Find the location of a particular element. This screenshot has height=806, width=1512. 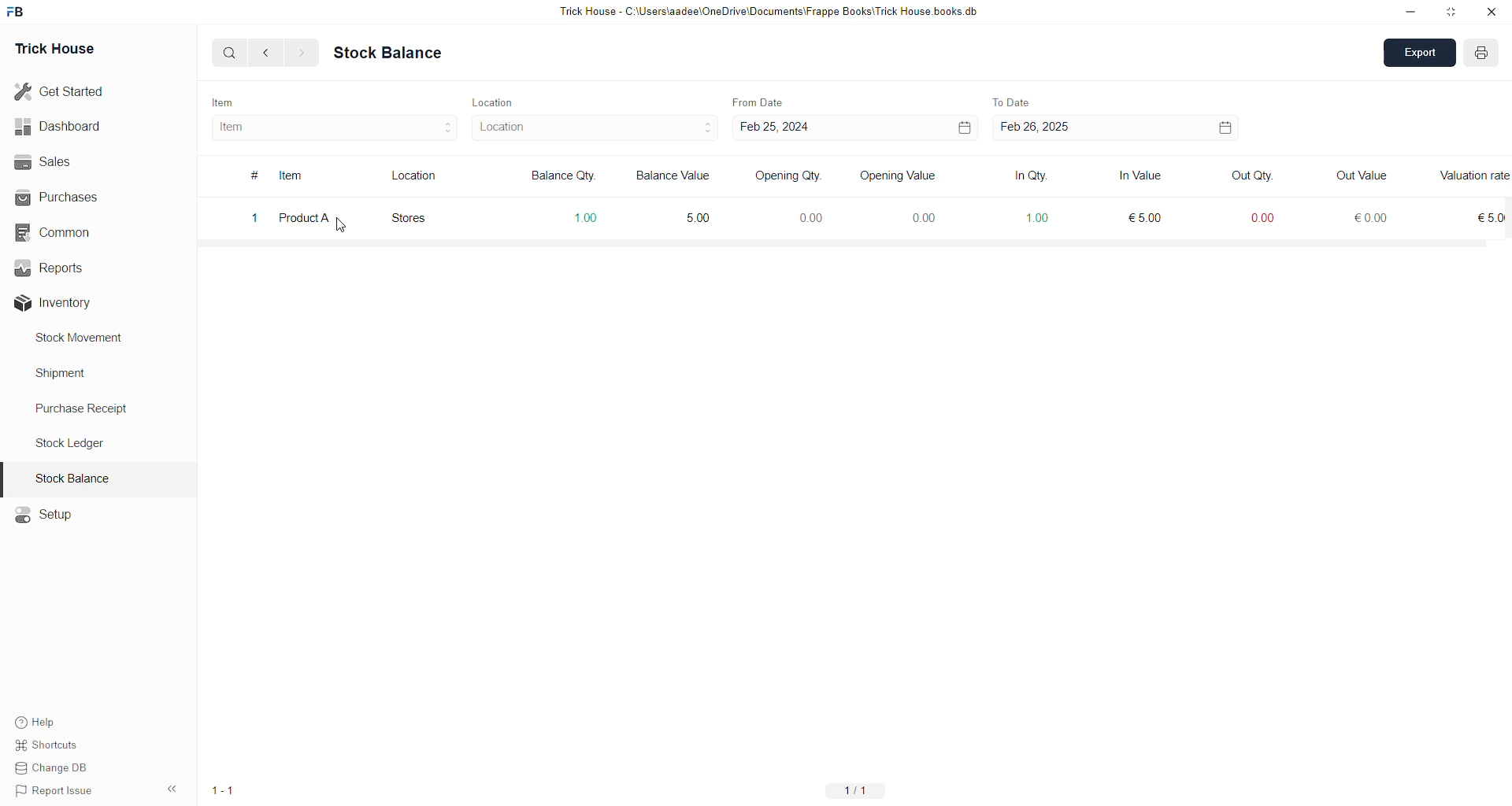

Close is located at coordinates (1495, 15).